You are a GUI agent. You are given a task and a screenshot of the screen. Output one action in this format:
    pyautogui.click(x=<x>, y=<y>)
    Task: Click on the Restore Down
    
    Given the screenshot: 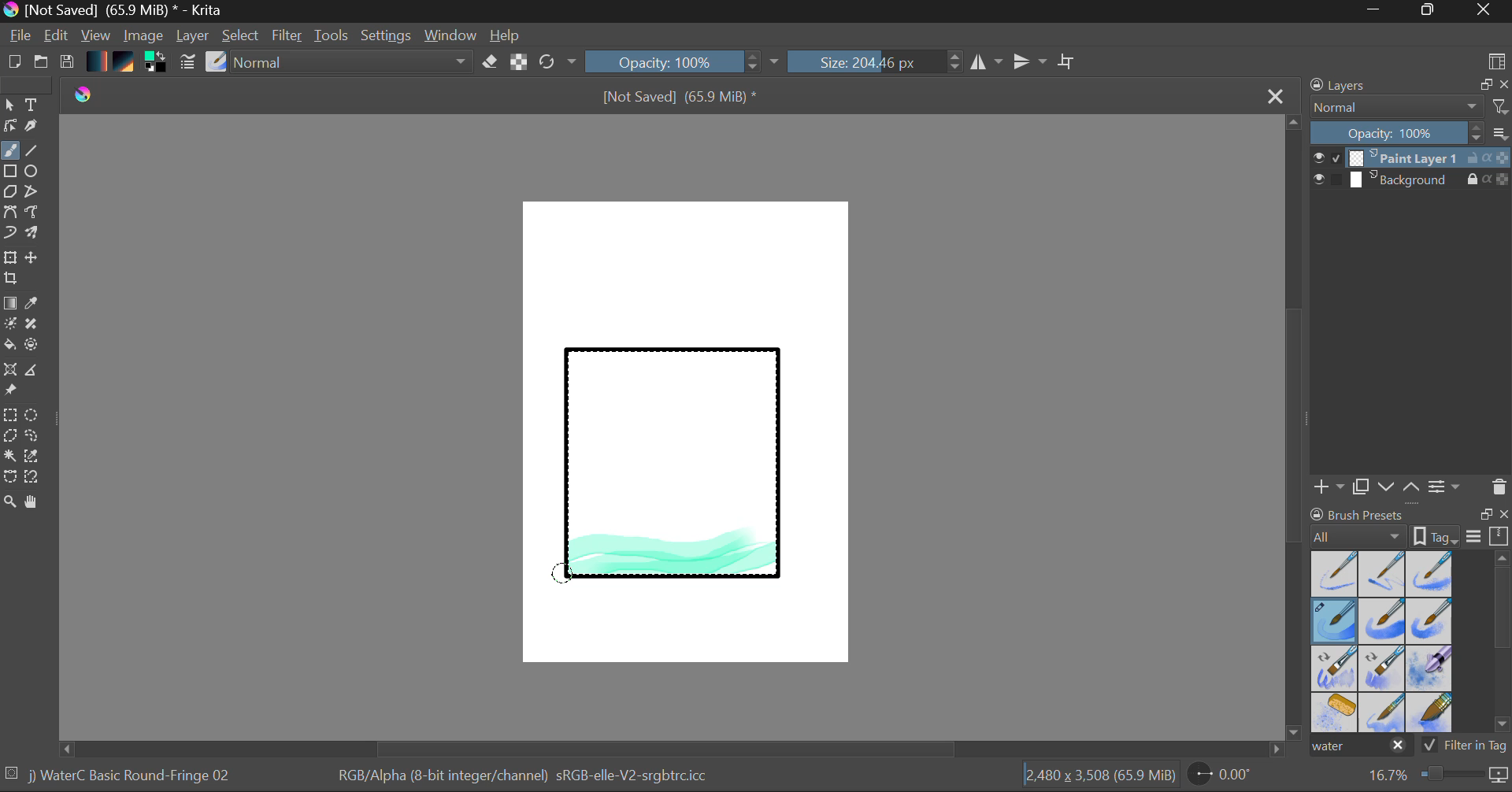 What is the action you would take?
    pyautogui.click(x=1379, y=11)
    